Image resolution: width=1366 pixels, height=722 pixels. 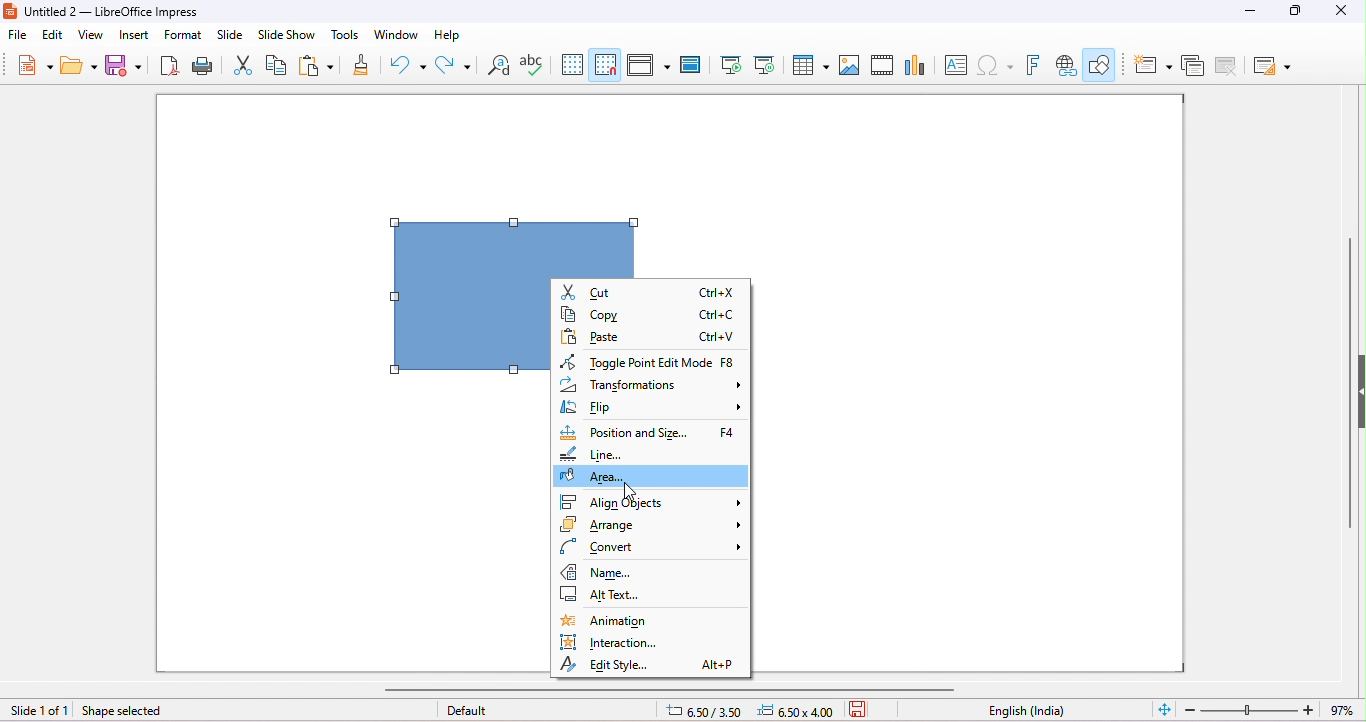 I want to click on duplicate slide, so click(x=1193, y=68).